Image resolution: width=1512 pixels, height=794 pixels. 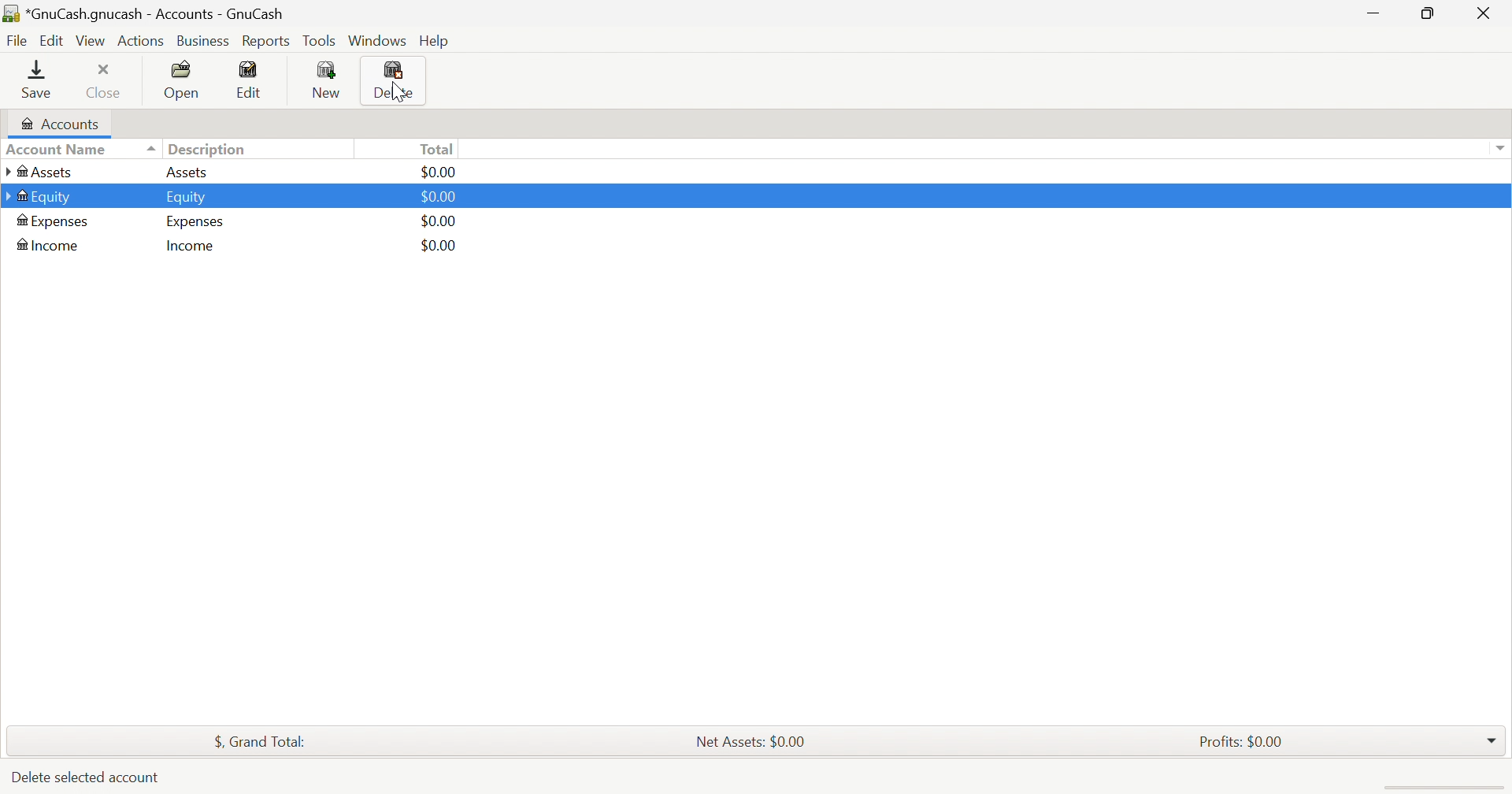 I want to click on Save, so click(x=36, y=79).